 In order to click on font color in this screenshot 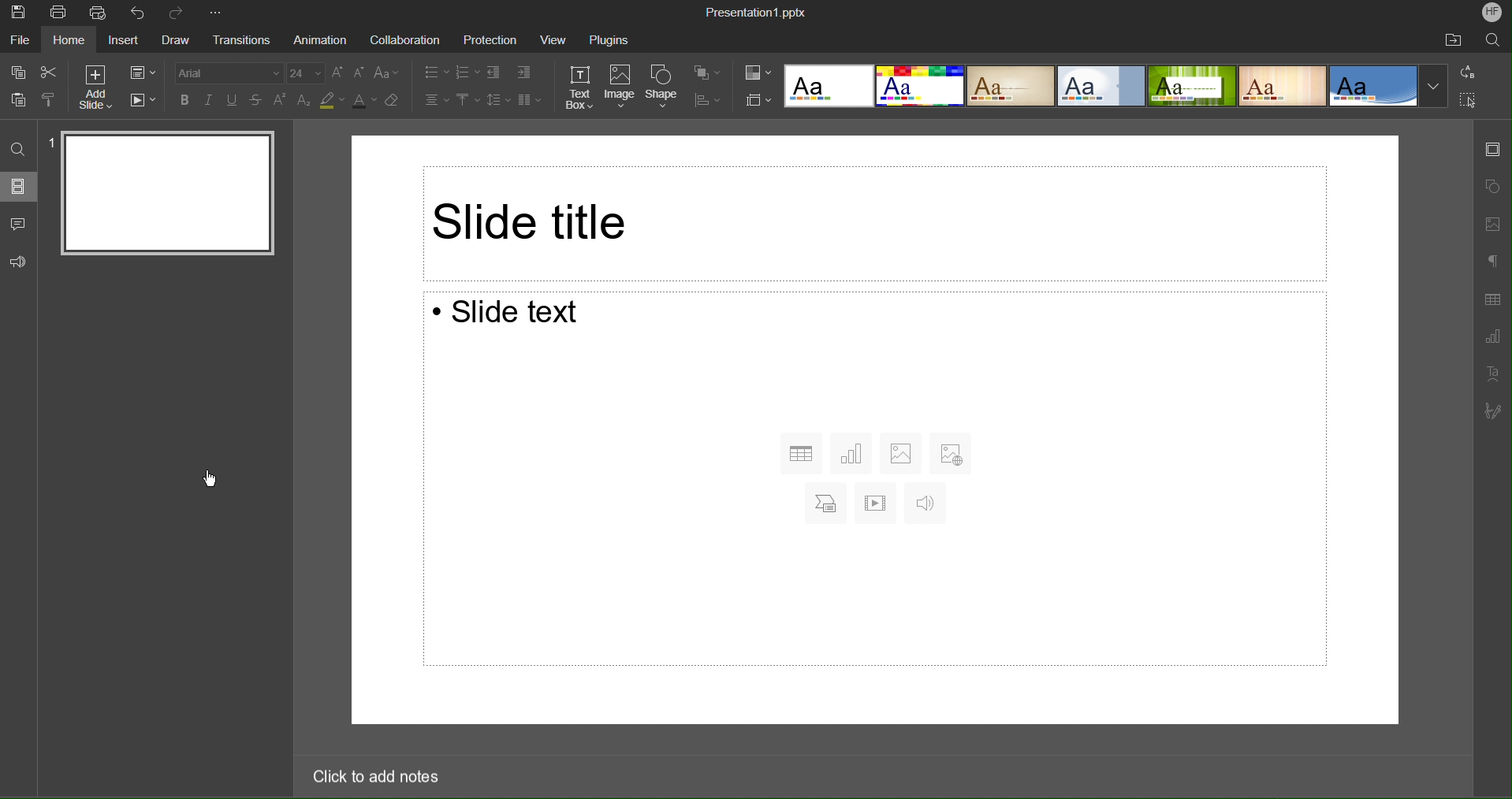, I will do `click(365, 102)`.